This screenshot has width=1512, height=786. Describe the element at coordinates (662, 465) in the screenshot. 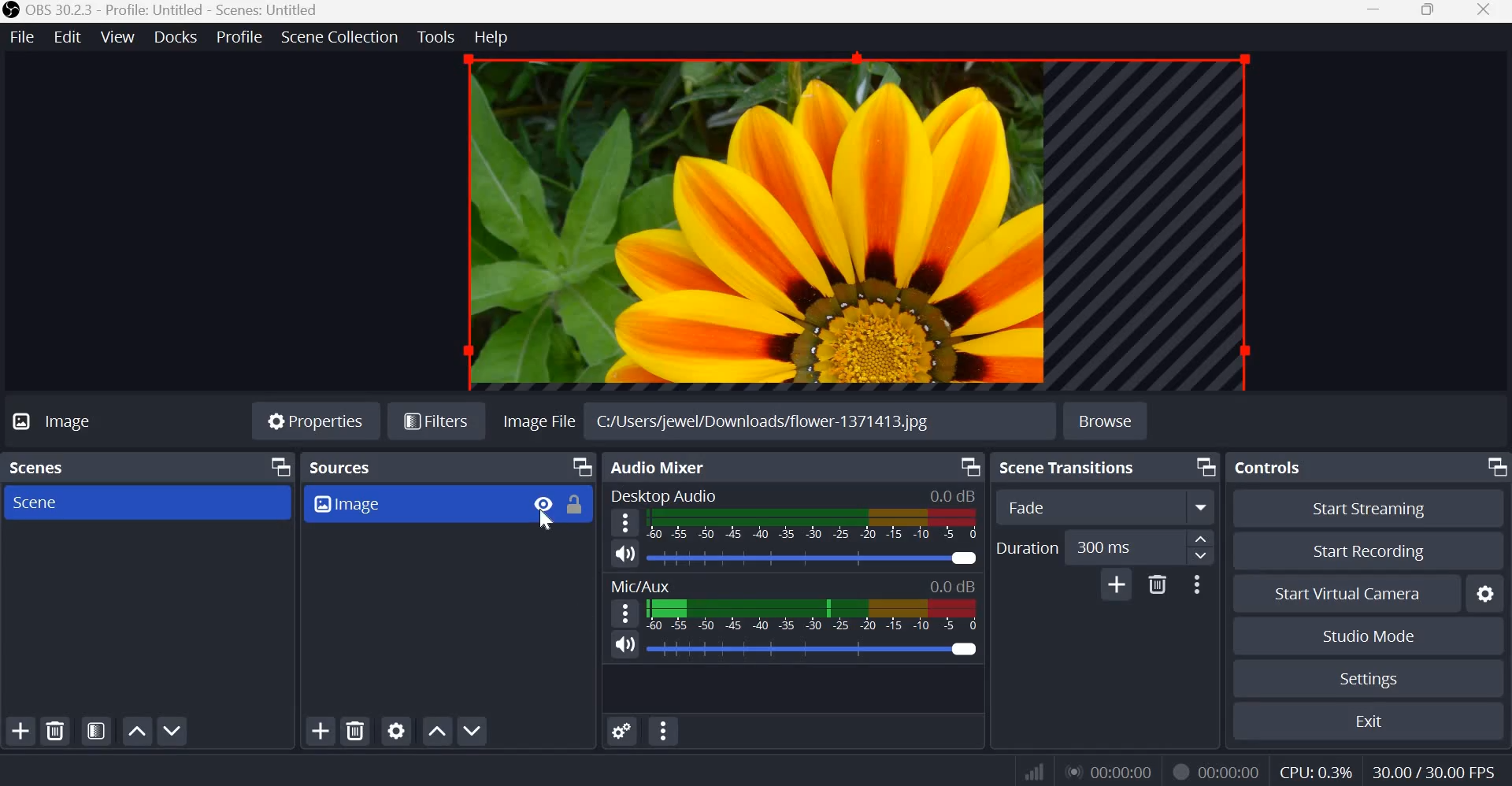

I see `Audio Mixer` at that location.